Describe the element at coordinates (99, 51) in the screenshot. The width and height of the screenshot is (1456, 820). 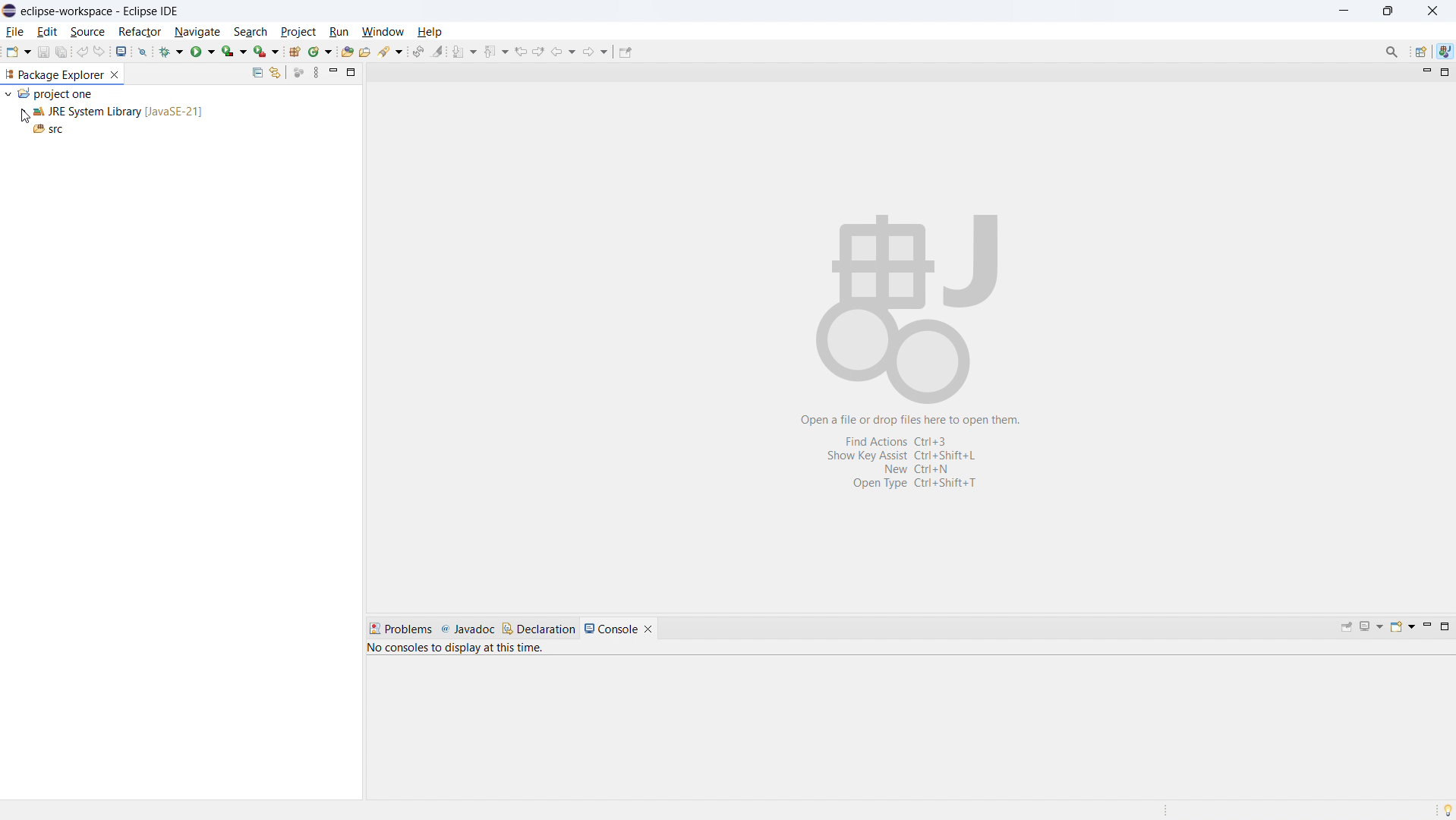
I see `redo` at that location.